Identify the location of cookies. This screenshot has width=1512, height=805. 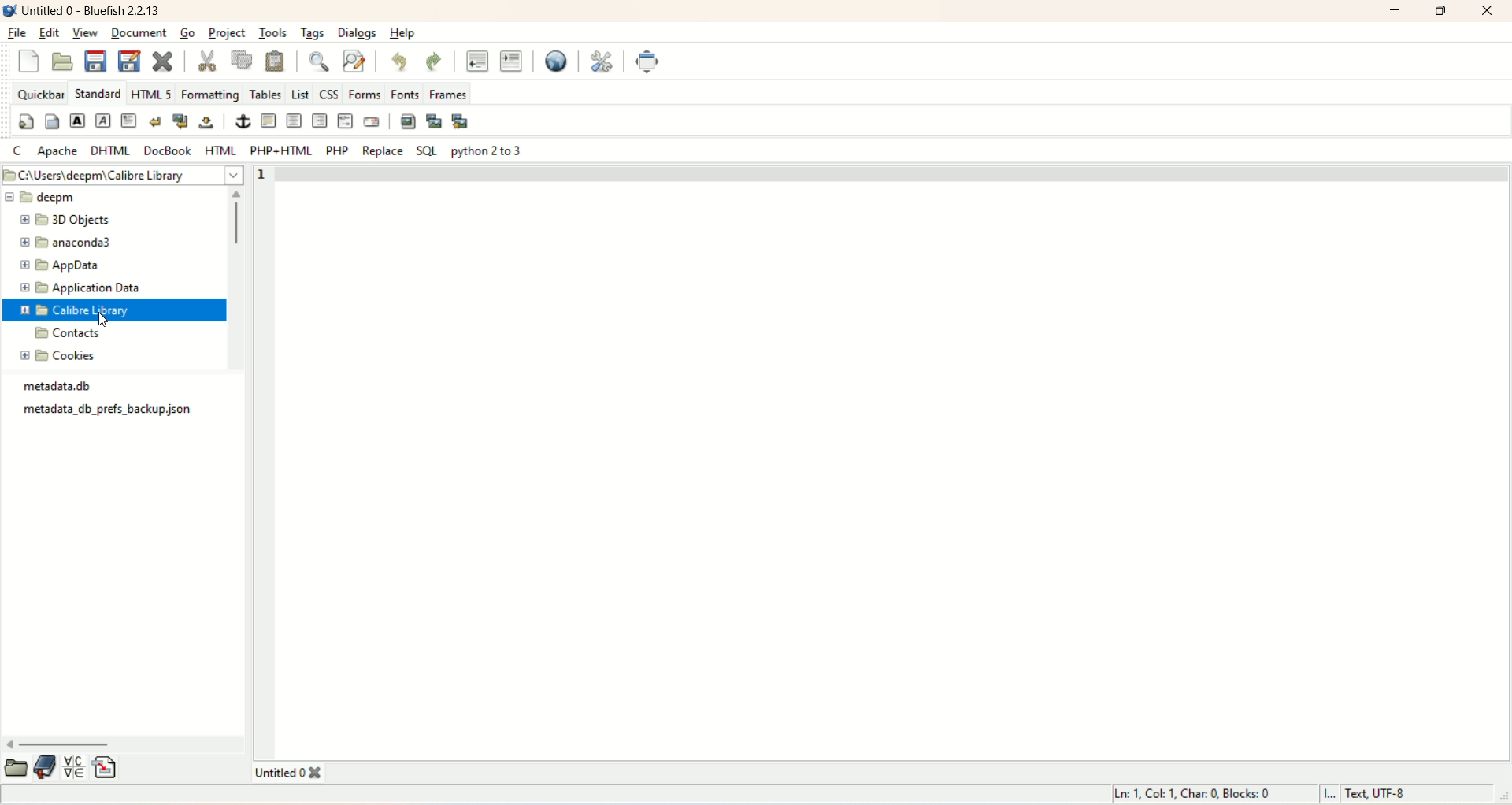
(62, 356).